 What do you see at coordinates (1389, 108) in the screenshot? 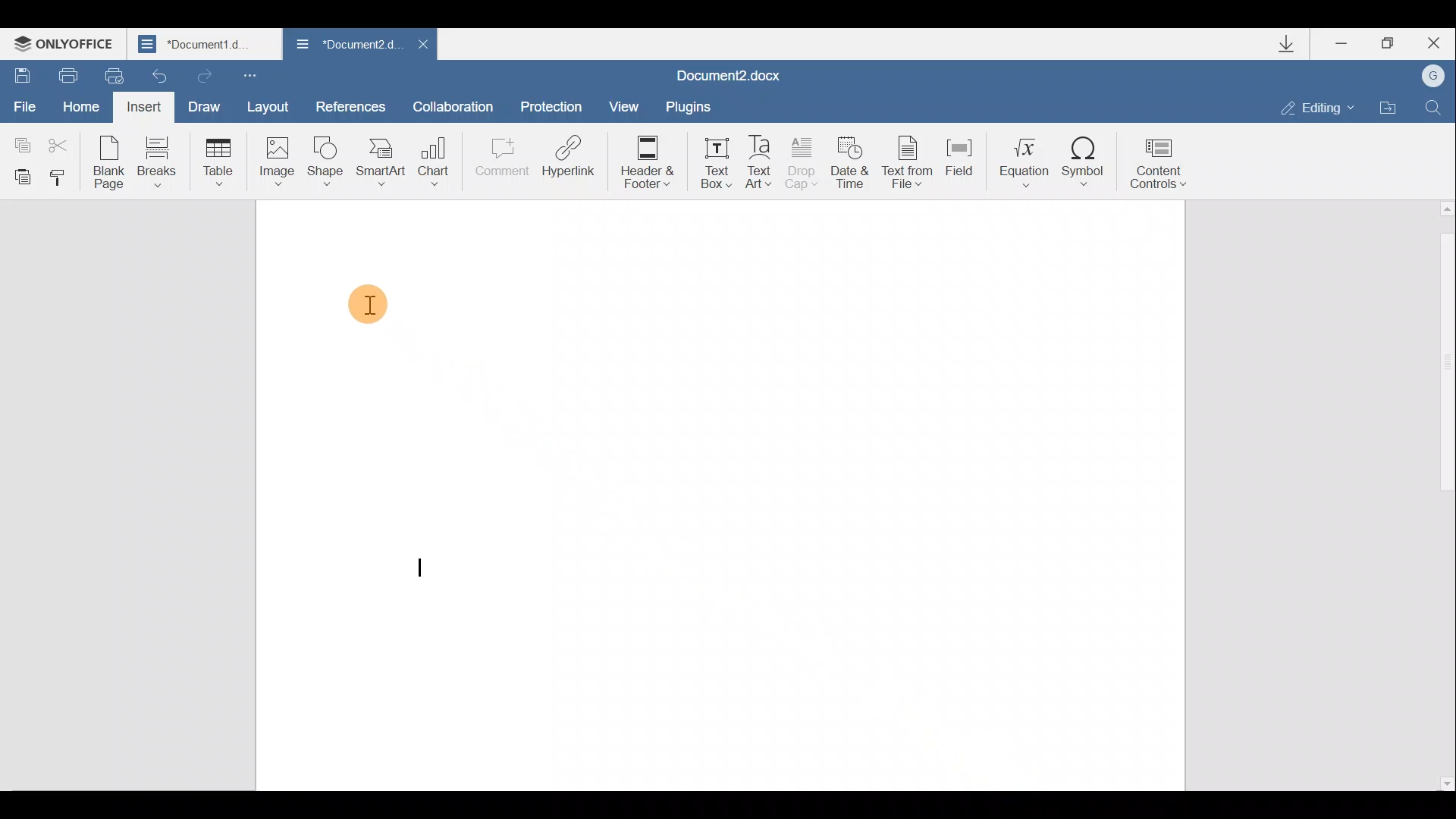
I see `Open file location` at bounding box center [1389, 108].